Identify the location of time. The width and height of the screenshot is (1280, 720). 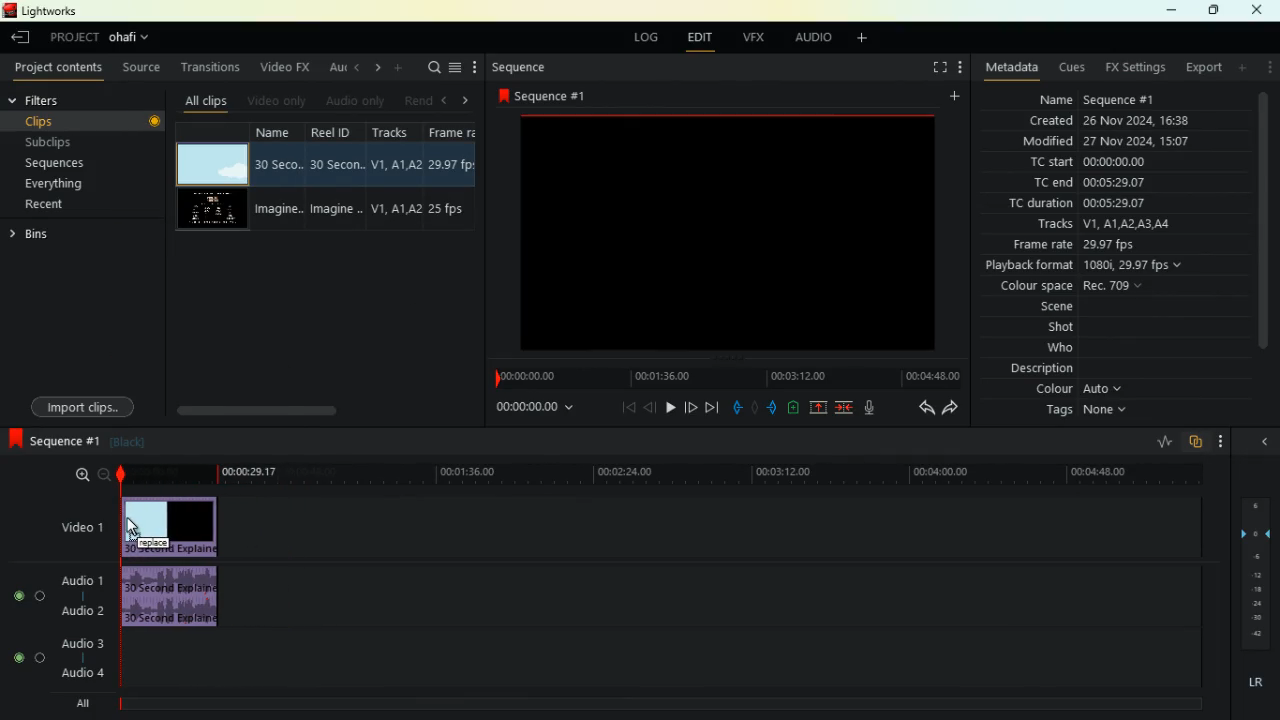
(524, 410).